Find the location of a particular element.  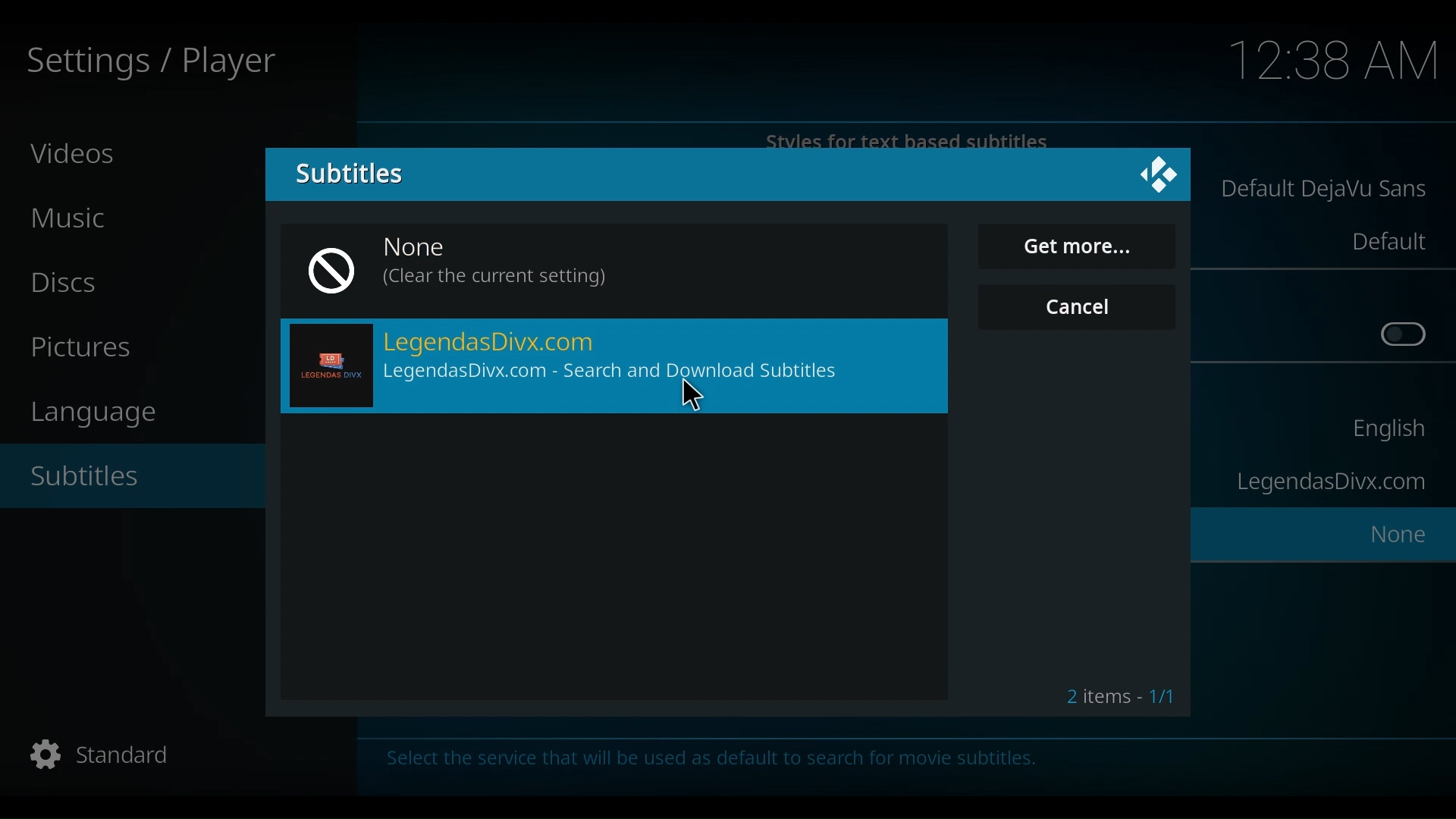

Get more is located at coordinates (1077, 247).